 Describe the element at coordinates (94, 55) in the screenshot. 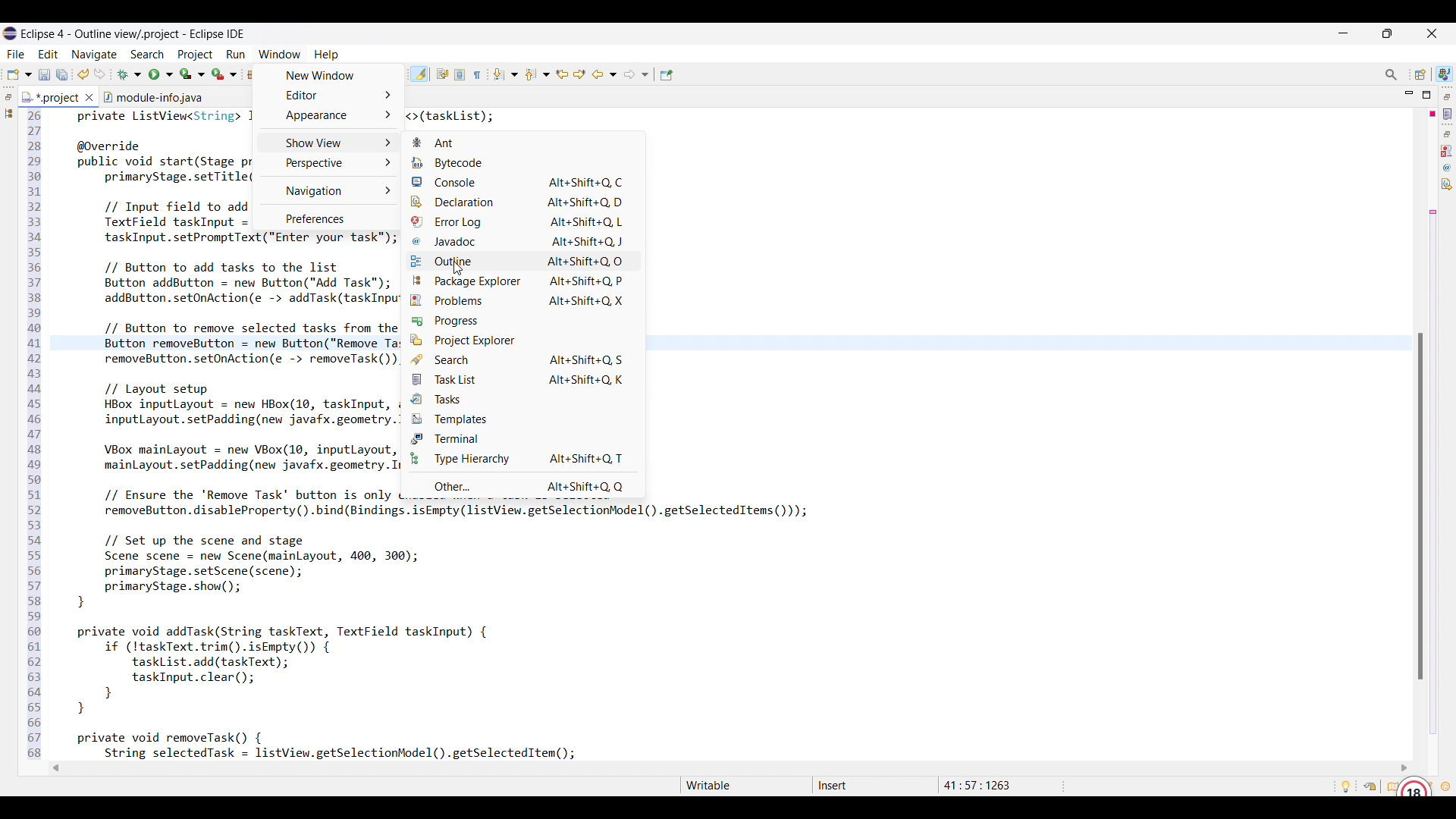

I see `Navigate menu` at that location.